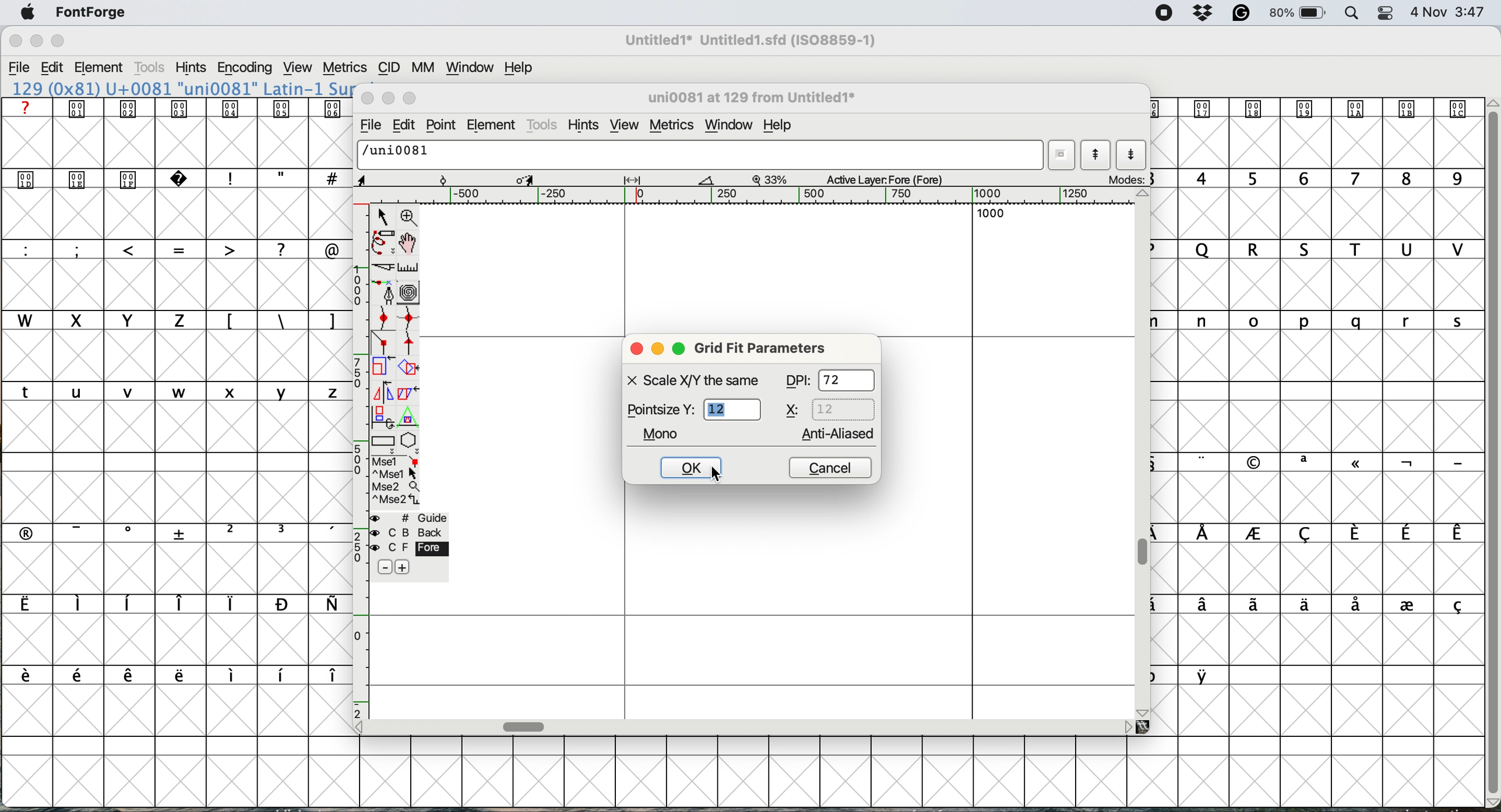 The image size is (1501, 812). Describe the element at coordinates (409, 291) in the screenshot. I see `change whether spiro is active or not` at that location.